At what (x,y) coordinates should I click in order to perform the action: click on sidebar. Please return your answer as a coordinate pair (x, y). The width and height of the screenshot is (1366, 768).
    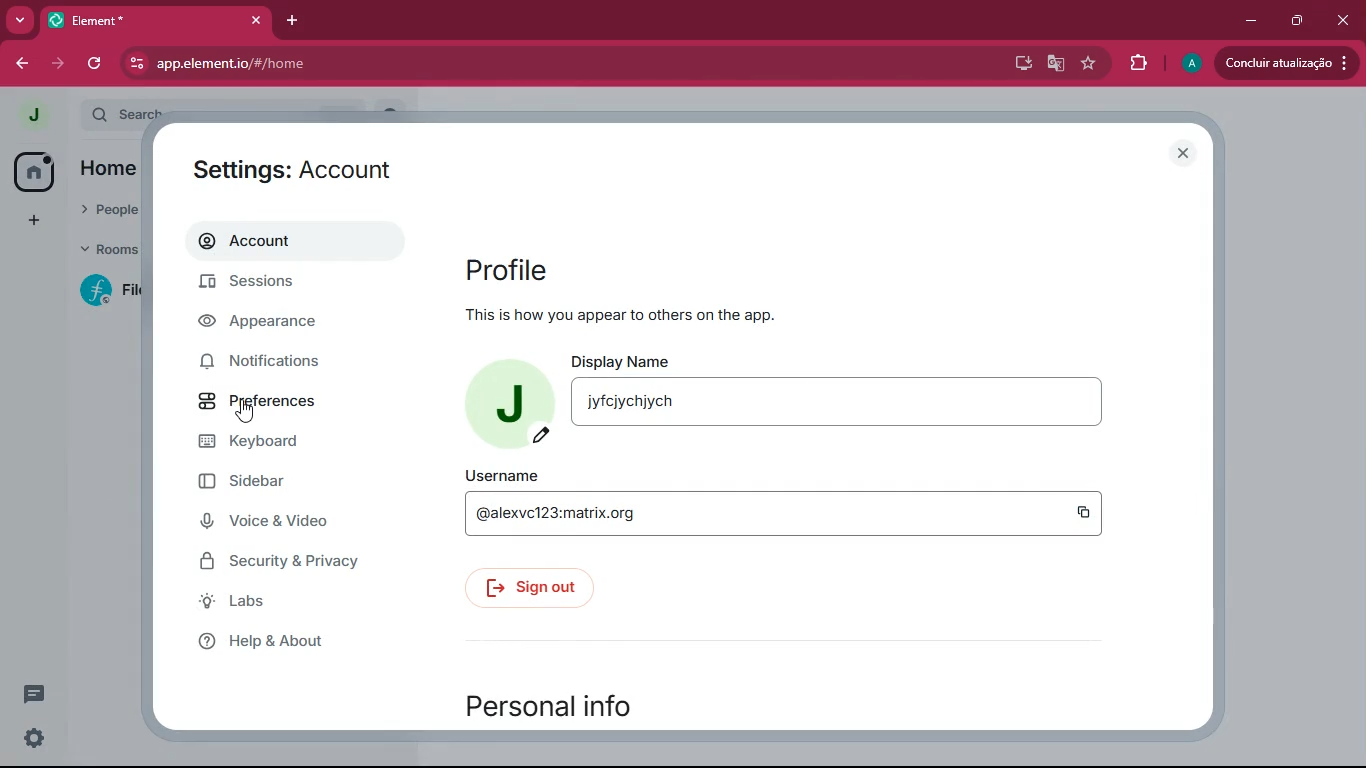
    Looking at the image, I should click on (287, 484).